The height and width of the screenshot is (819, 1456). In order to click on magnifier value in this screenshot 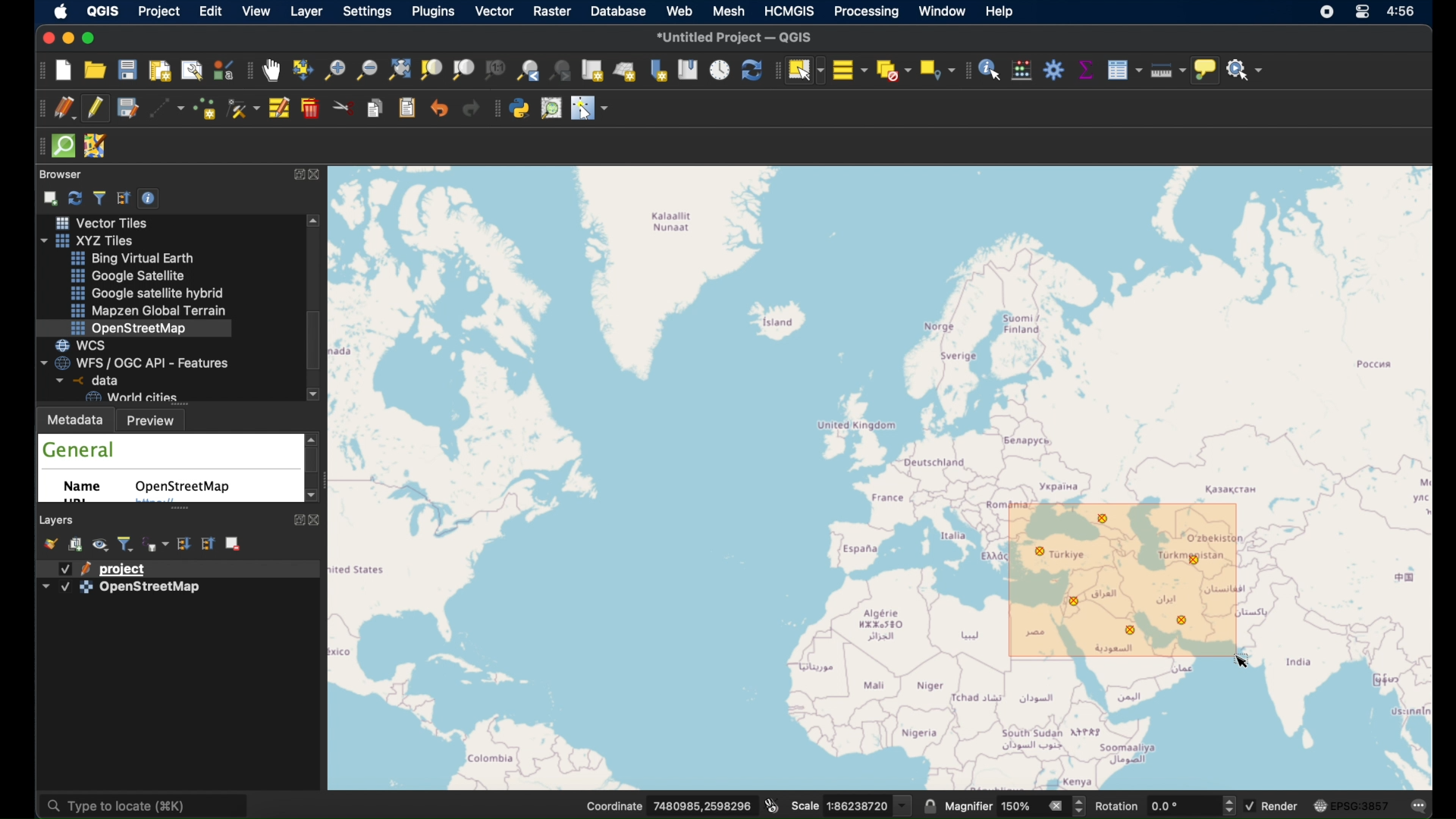, I will do `click(1016, 805)`.